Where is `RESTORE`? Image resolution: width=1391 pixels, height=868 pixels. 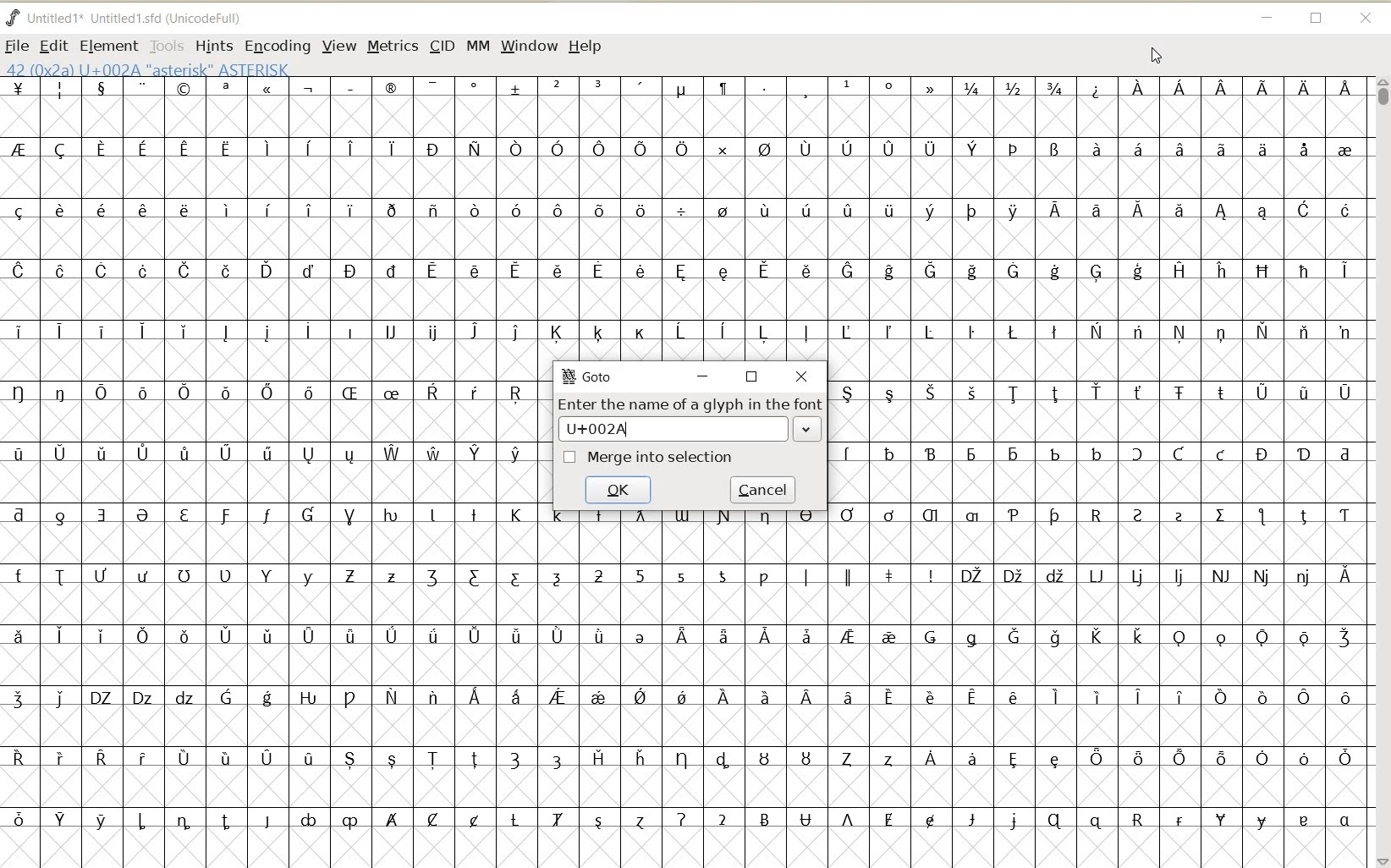
RESTORE is located at coordinates (1317, 19).